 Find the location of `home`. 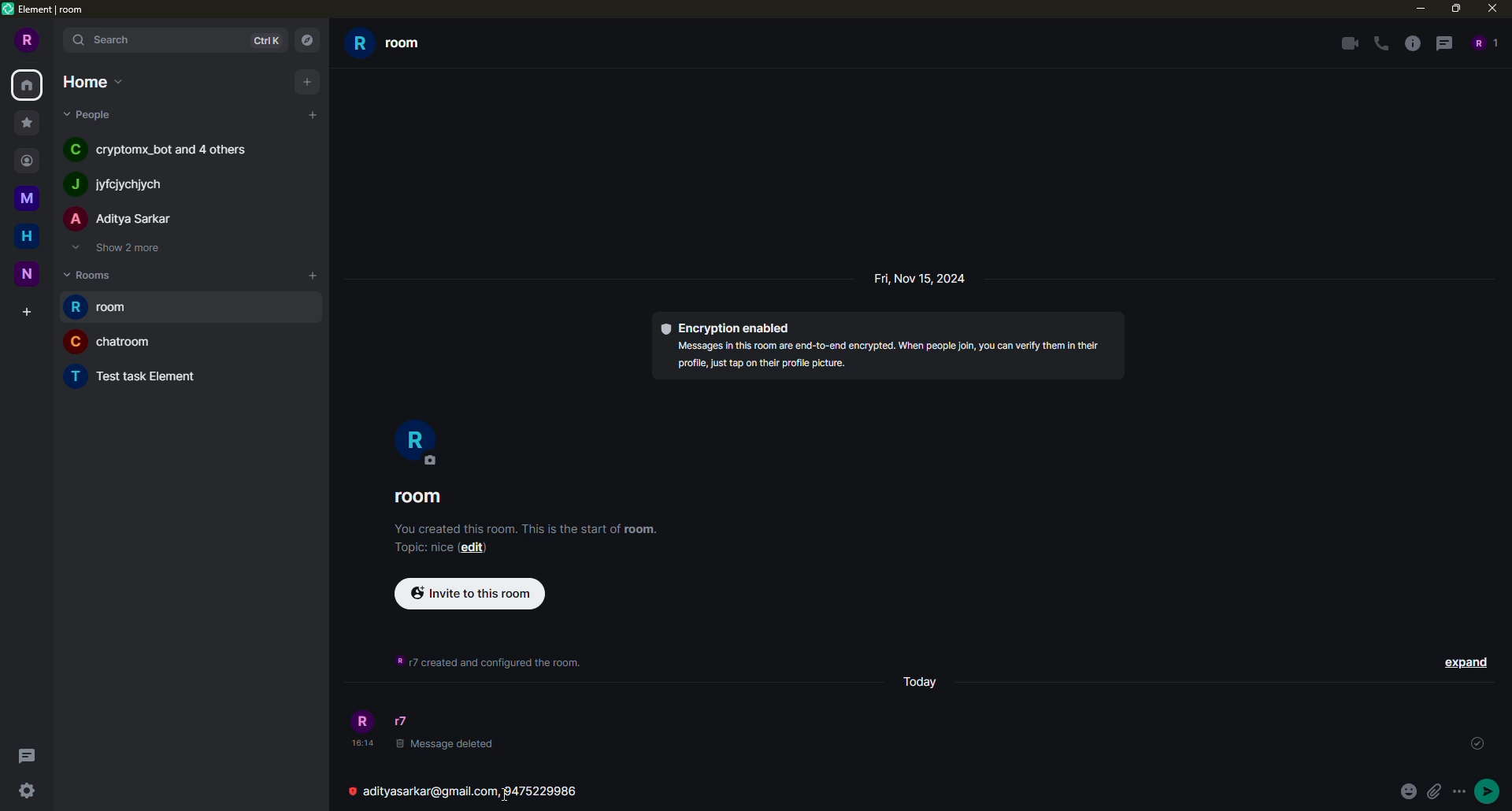

home is located at coordinates (29, 84).